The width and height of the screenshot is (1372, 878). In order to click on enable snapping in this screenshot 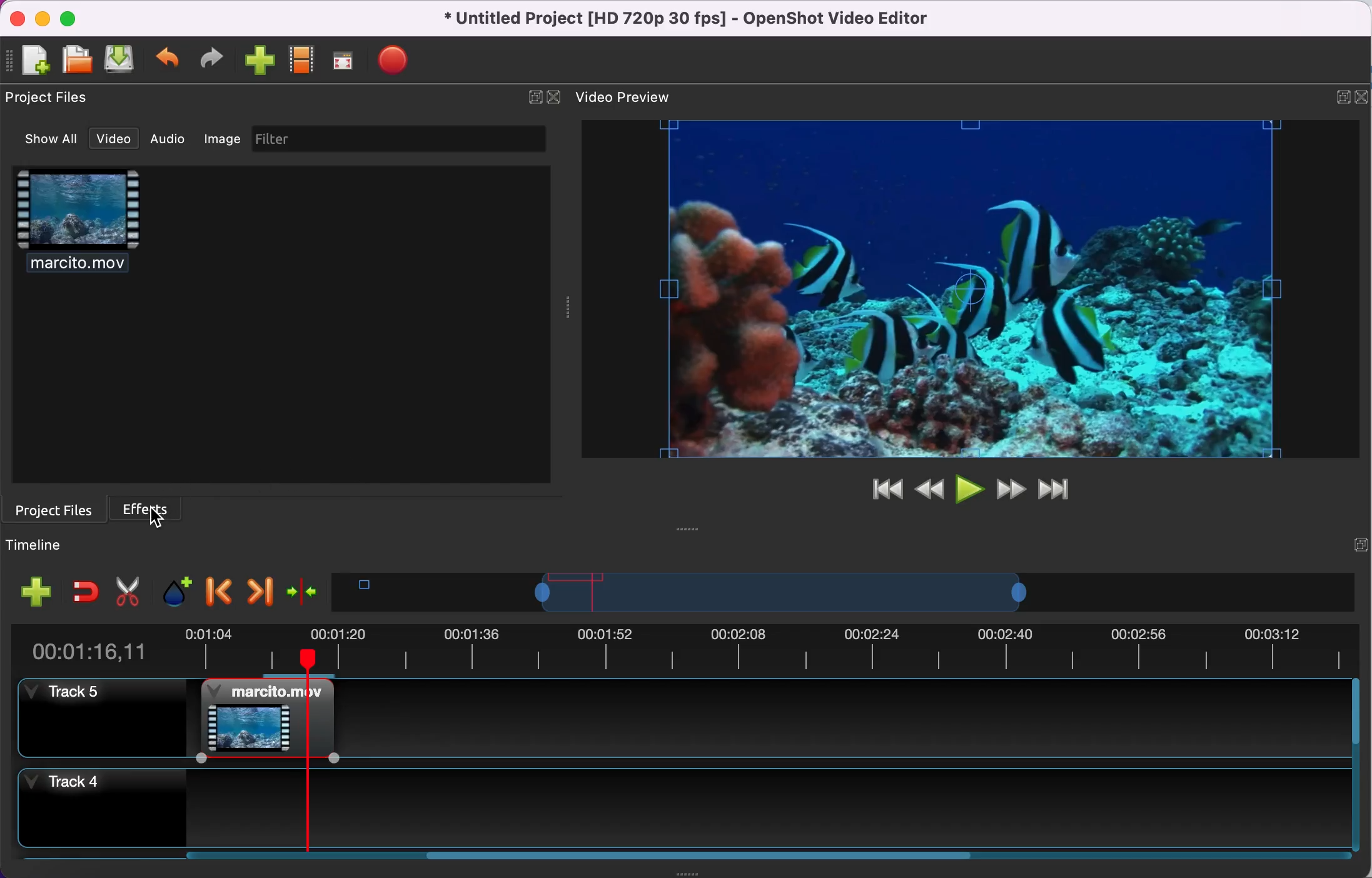, I will do `click(85, 590)`.